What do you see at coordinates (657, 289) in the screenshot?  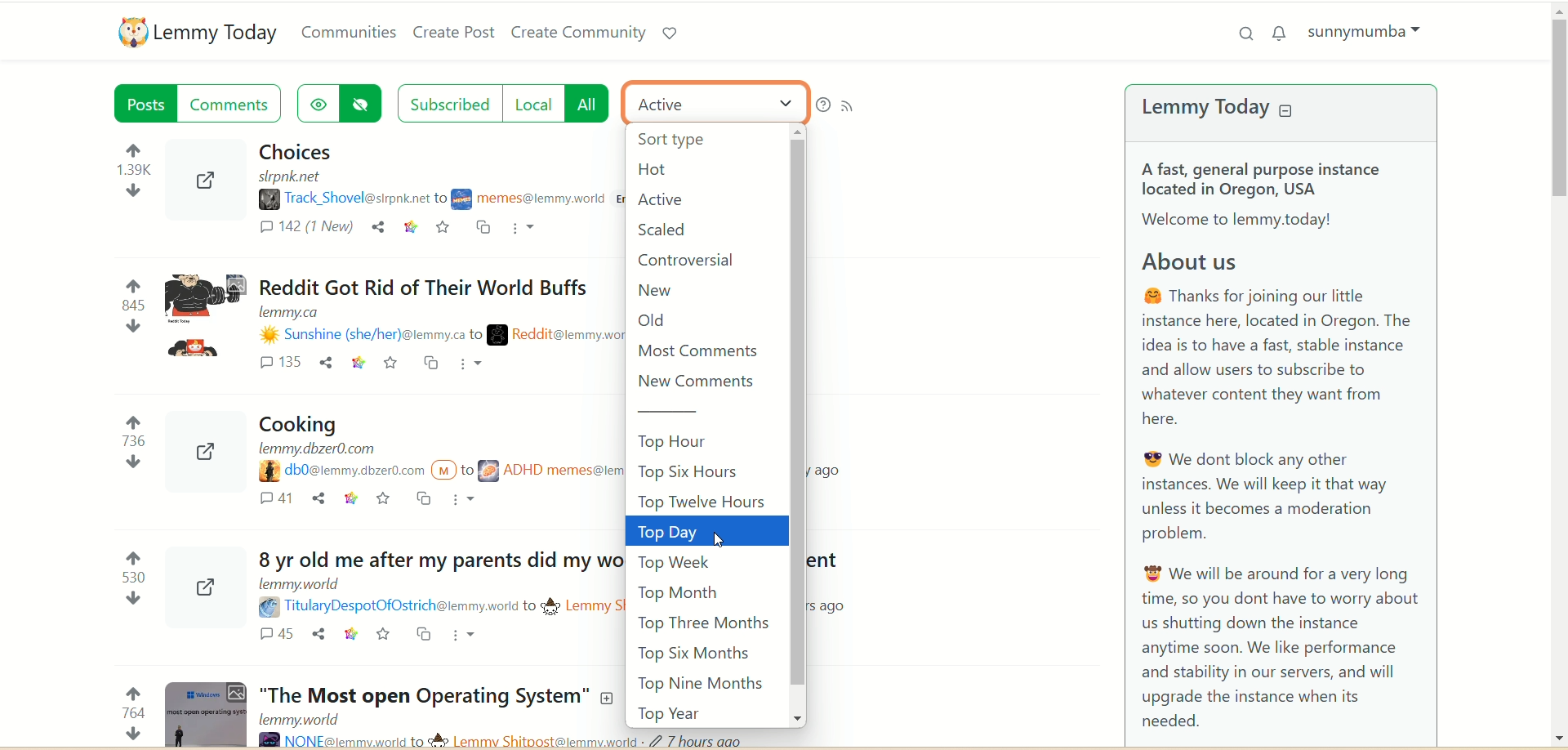 I see `new` at bounding box center [657, 289].